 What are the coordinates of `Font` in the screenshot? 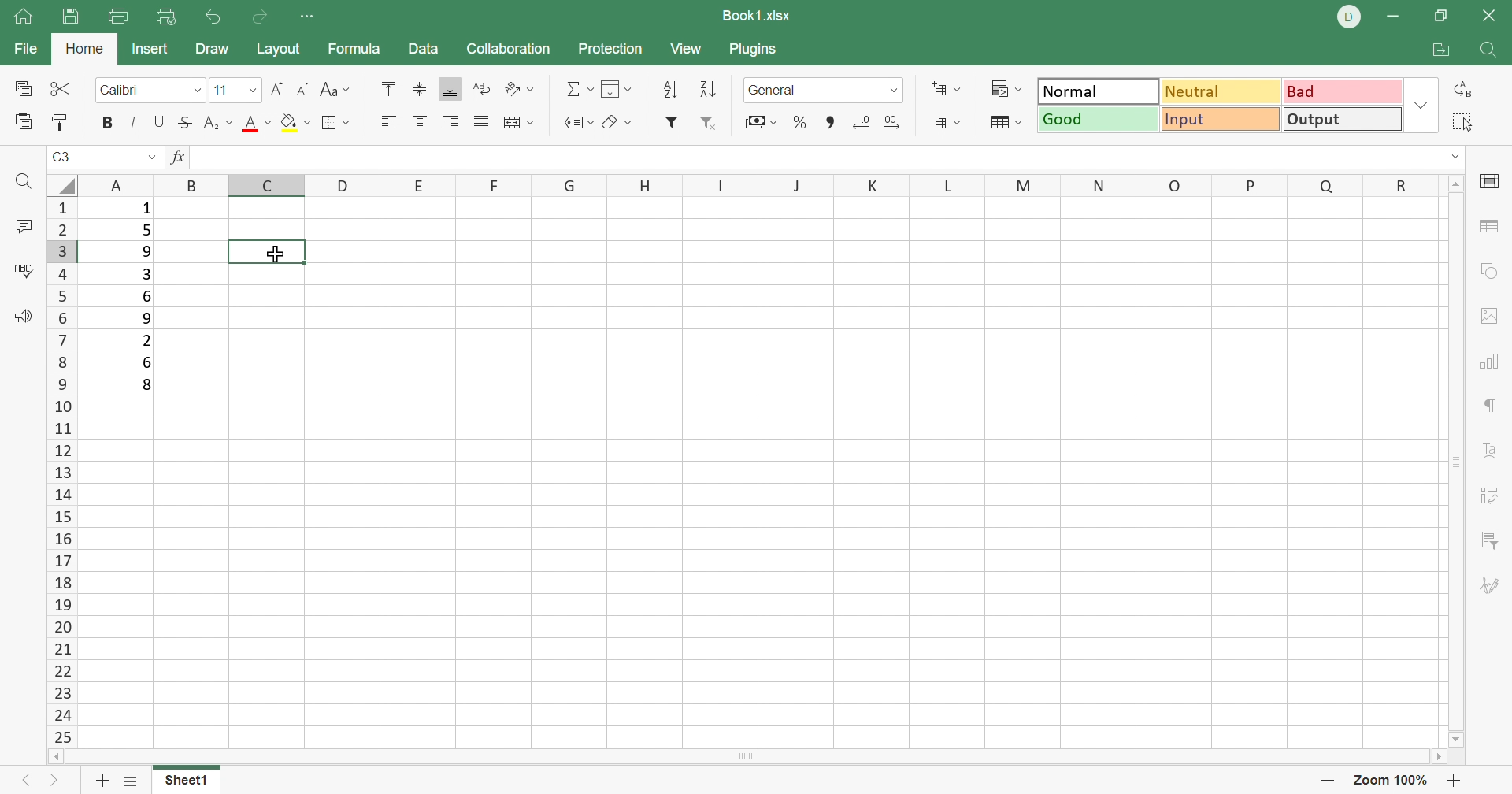 It's located at (138, 90).